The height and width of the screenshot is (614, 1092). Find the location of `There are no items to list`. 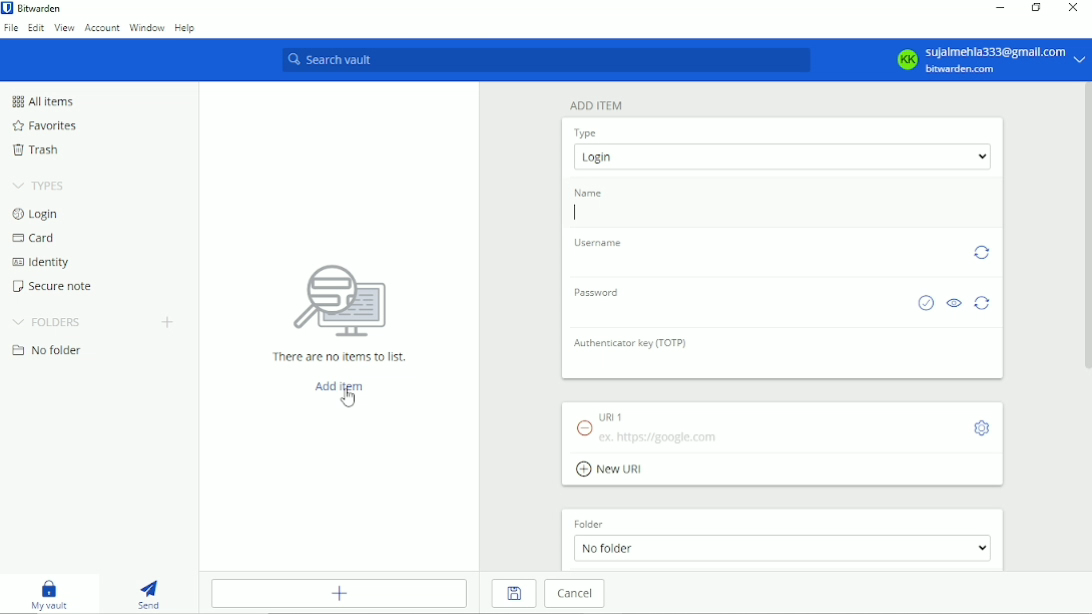

There are no items to list is located at coordinates (340, 313).